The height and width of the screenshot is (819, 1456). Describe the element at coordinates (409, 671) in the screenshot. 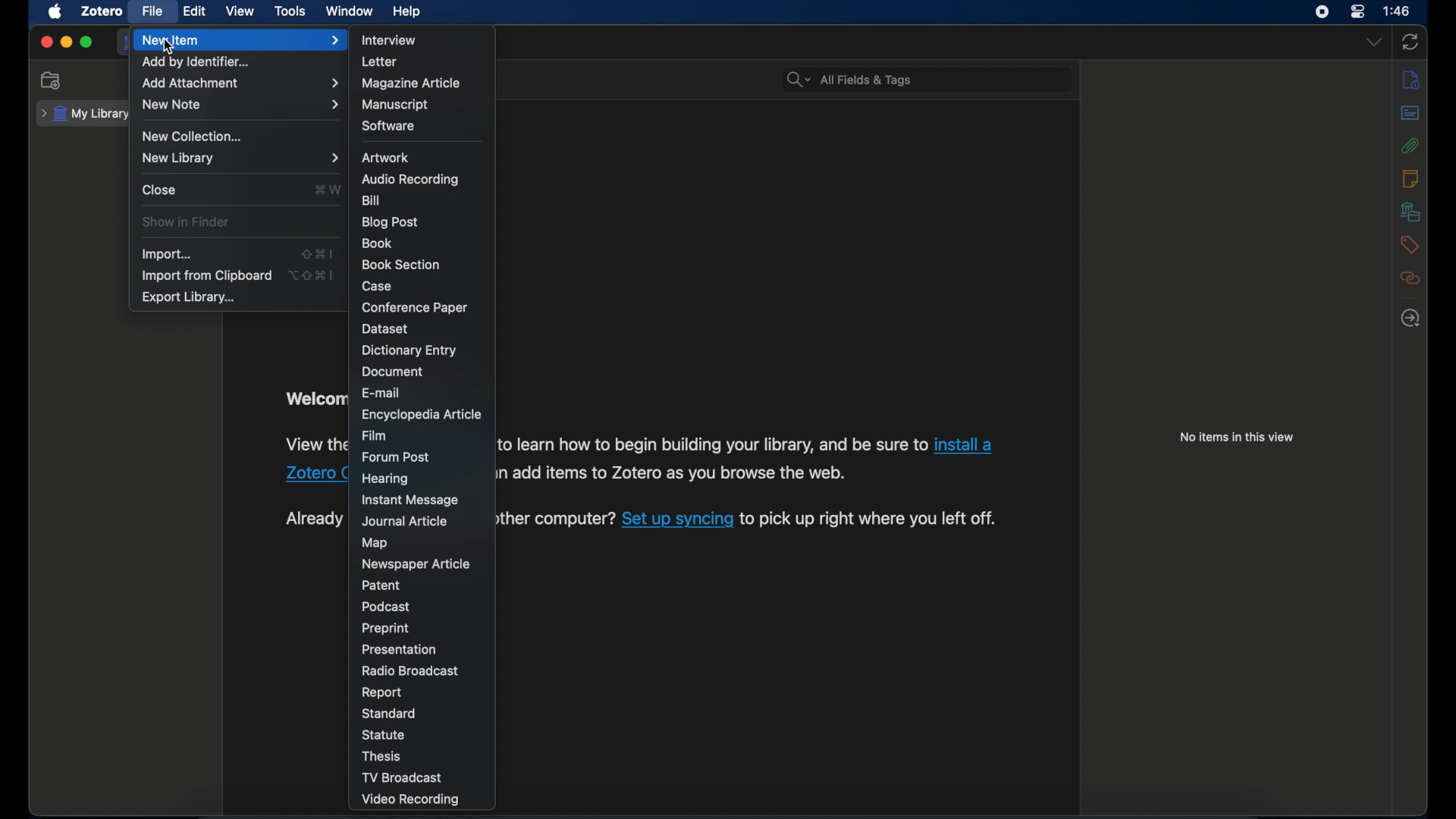

I see `radio broadcast` at that location.